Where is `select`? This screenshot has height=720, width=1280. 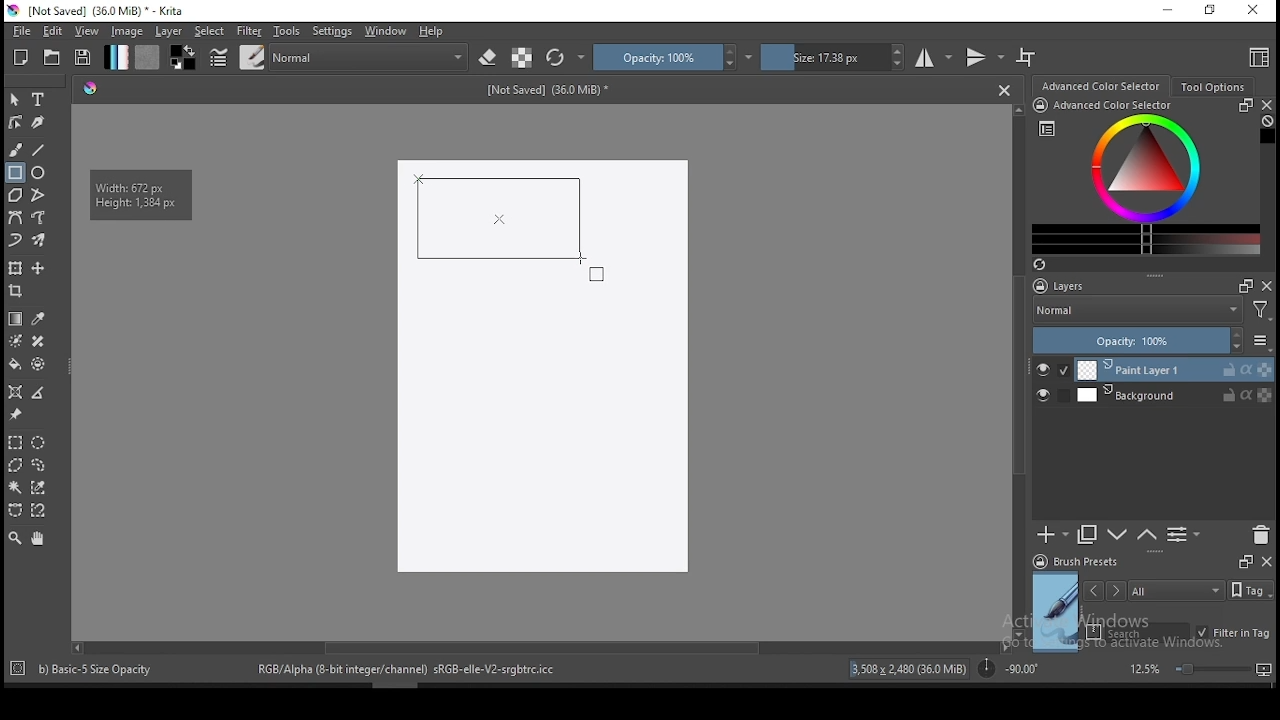 select is located at coordinates (210, 31).